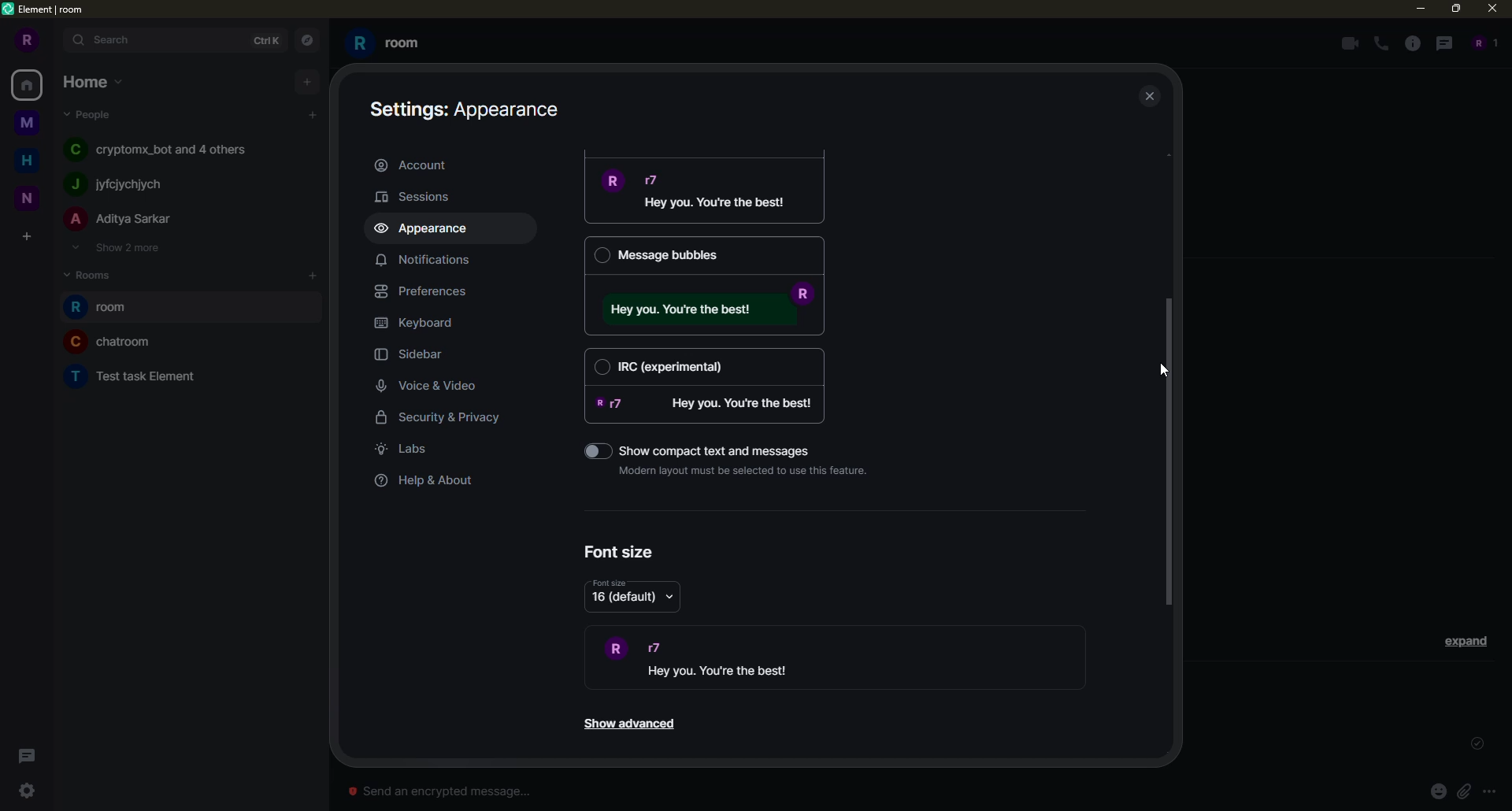 This screenshot has height=811, width=1512. I want to click on navigator, so click(306, 41).